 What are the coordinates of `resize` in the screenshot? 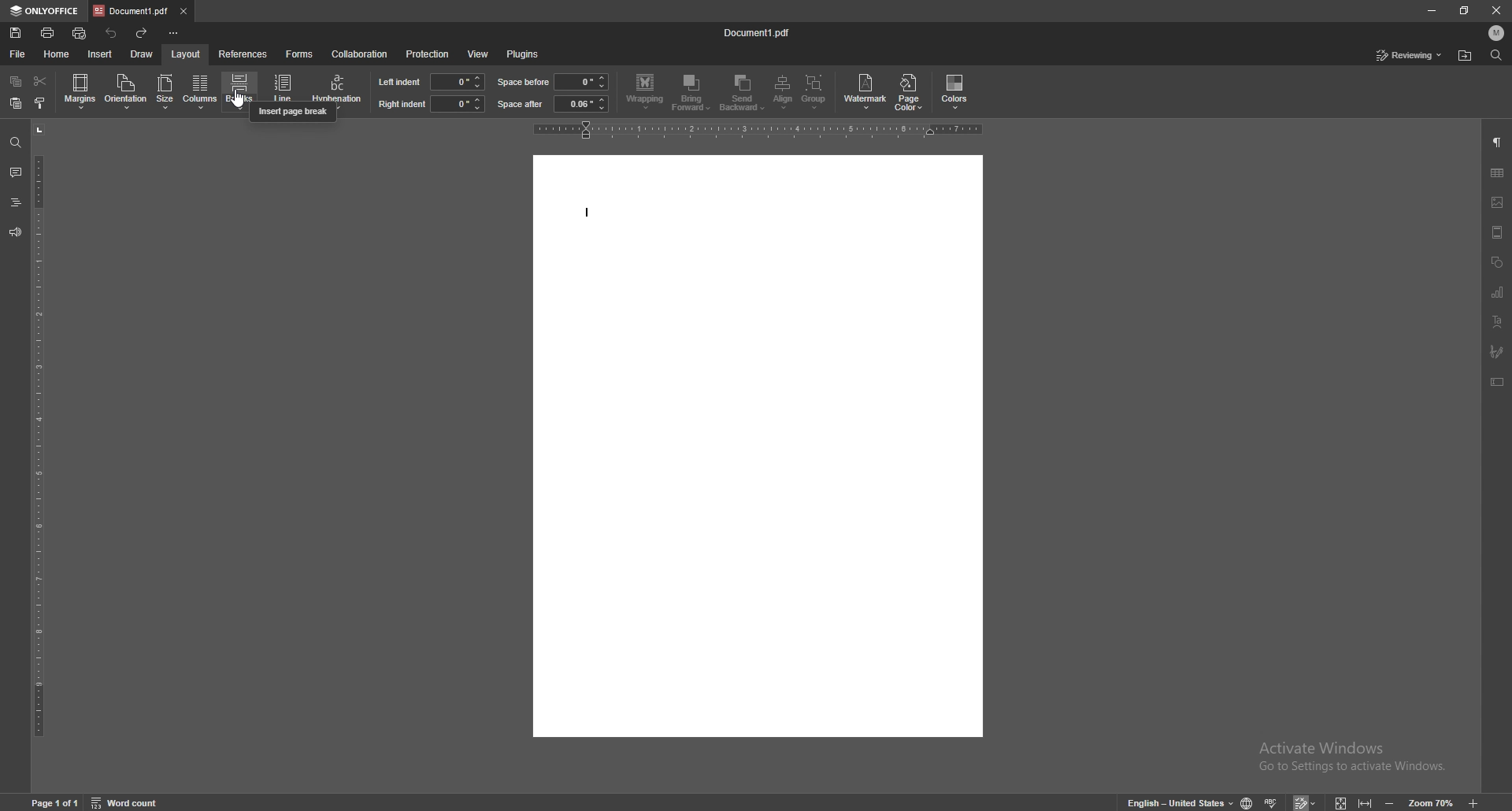 It's located at (1465, 10).